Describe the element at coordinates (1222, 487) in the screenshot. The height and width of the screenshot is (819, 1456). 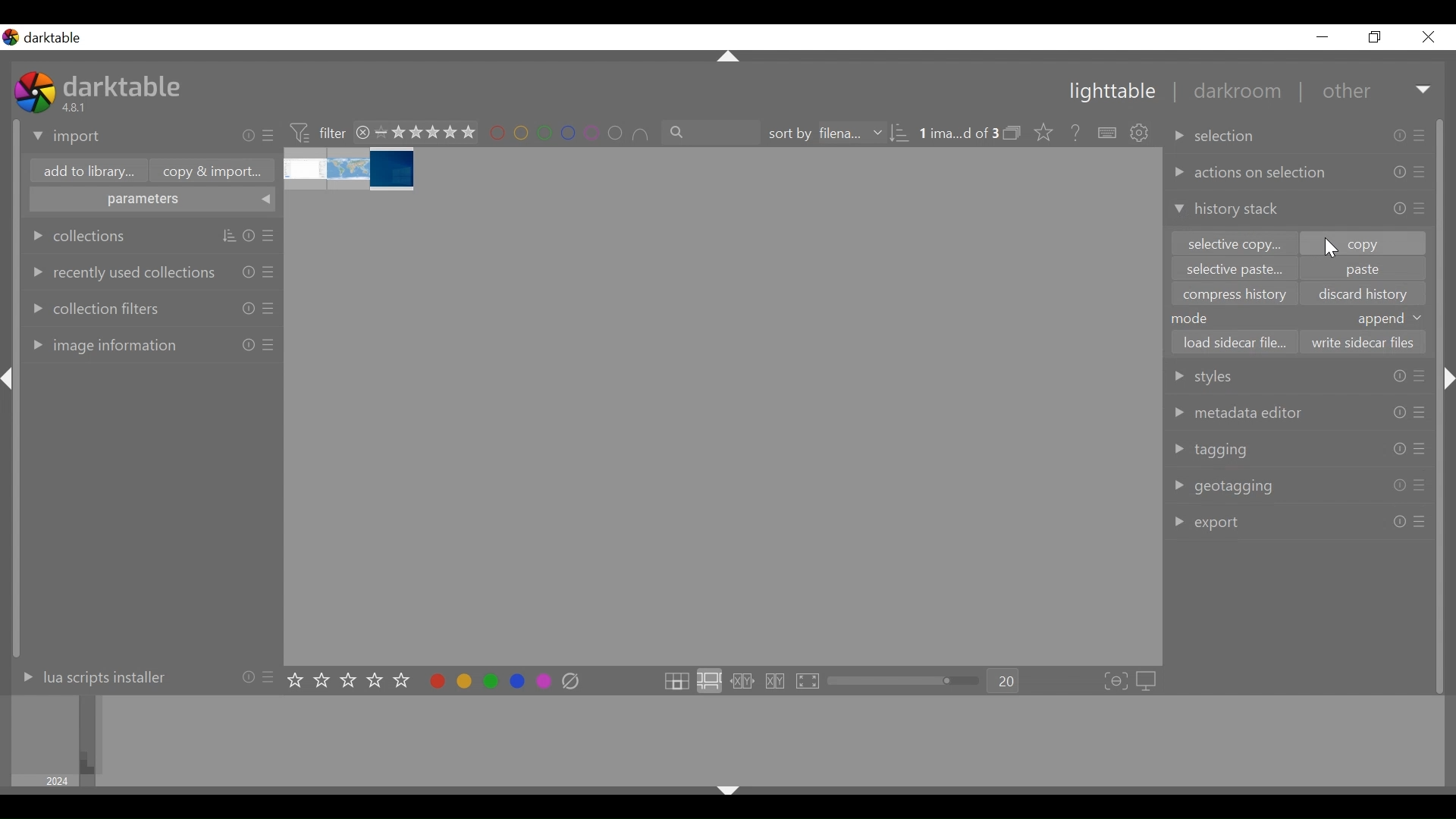
I see `geotagging` at that location.